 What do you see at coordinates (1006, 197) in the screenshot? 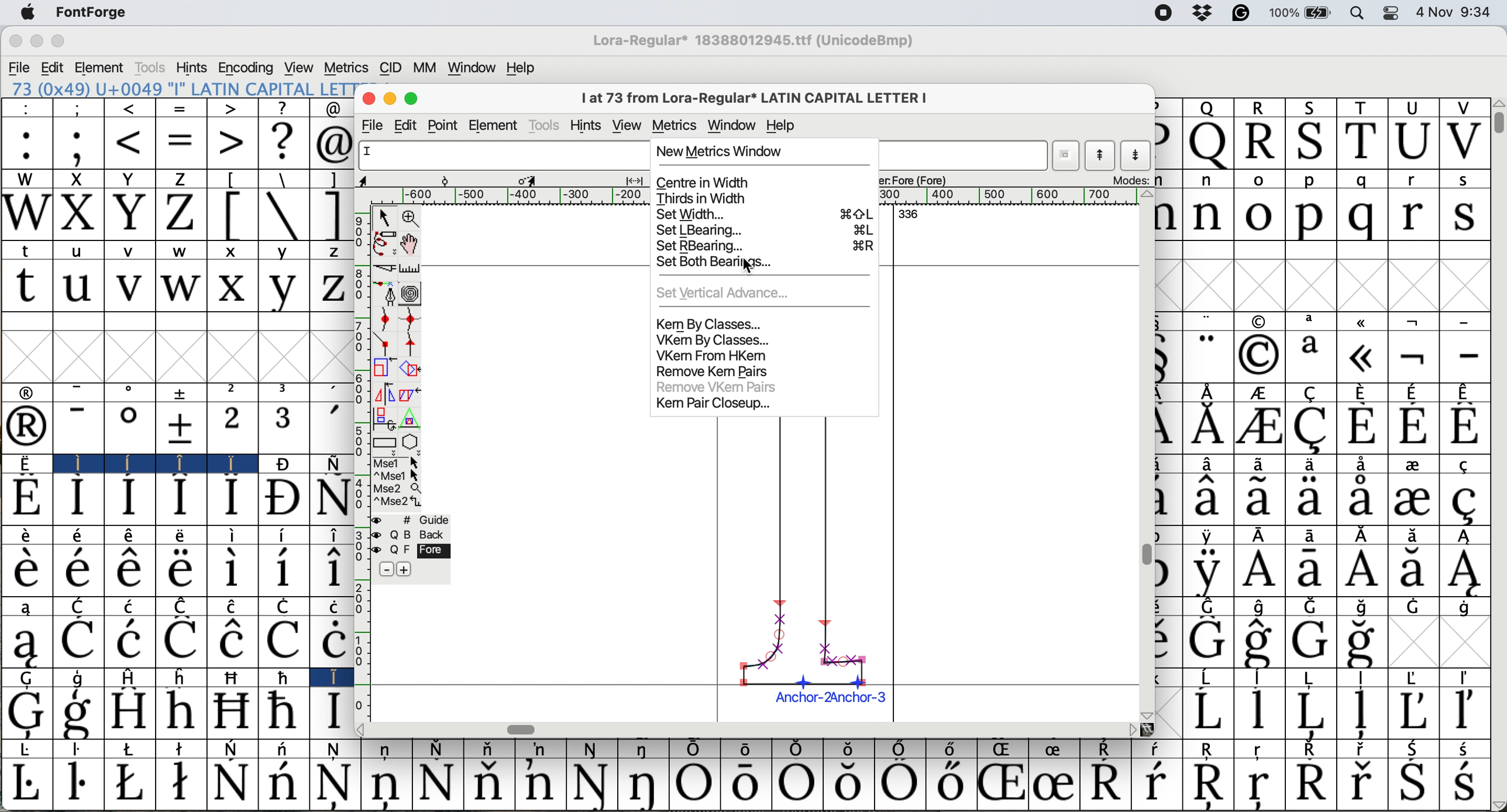
I see `horizontal scale` at bounding box center [1006, 197].